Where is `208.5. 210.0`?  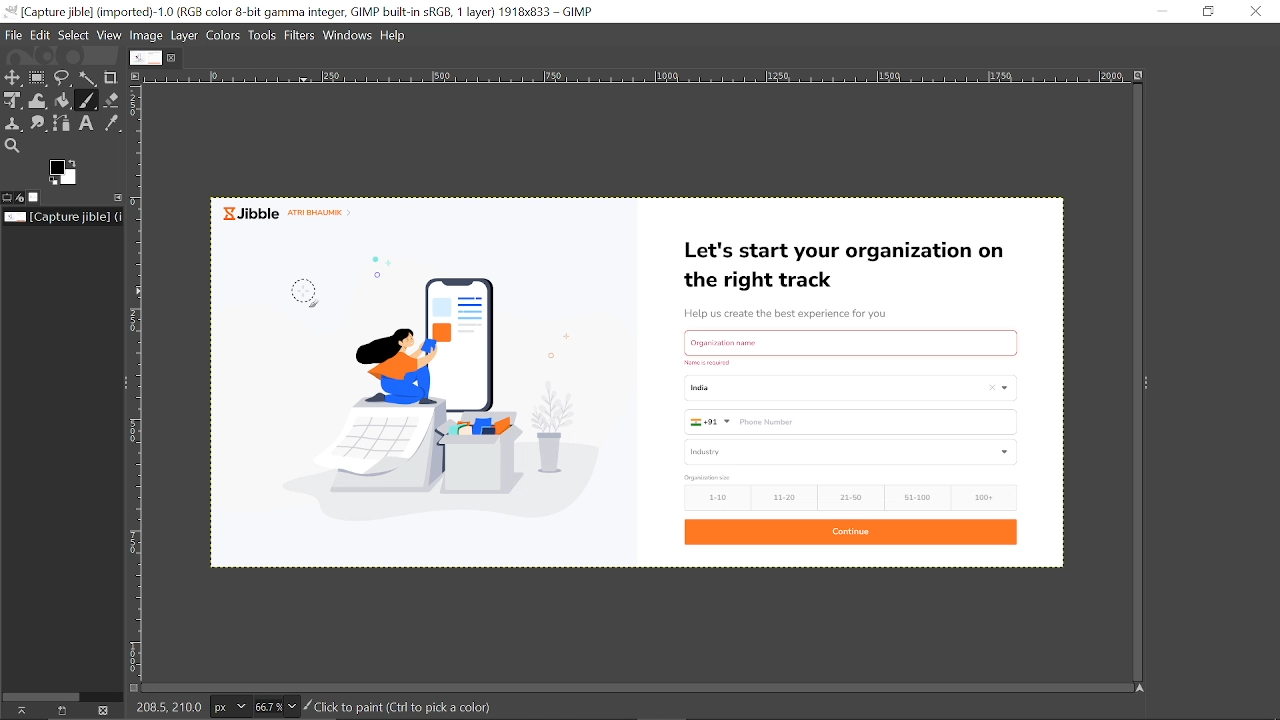 208.5. 210.0 is located at coordinates (168, 704).